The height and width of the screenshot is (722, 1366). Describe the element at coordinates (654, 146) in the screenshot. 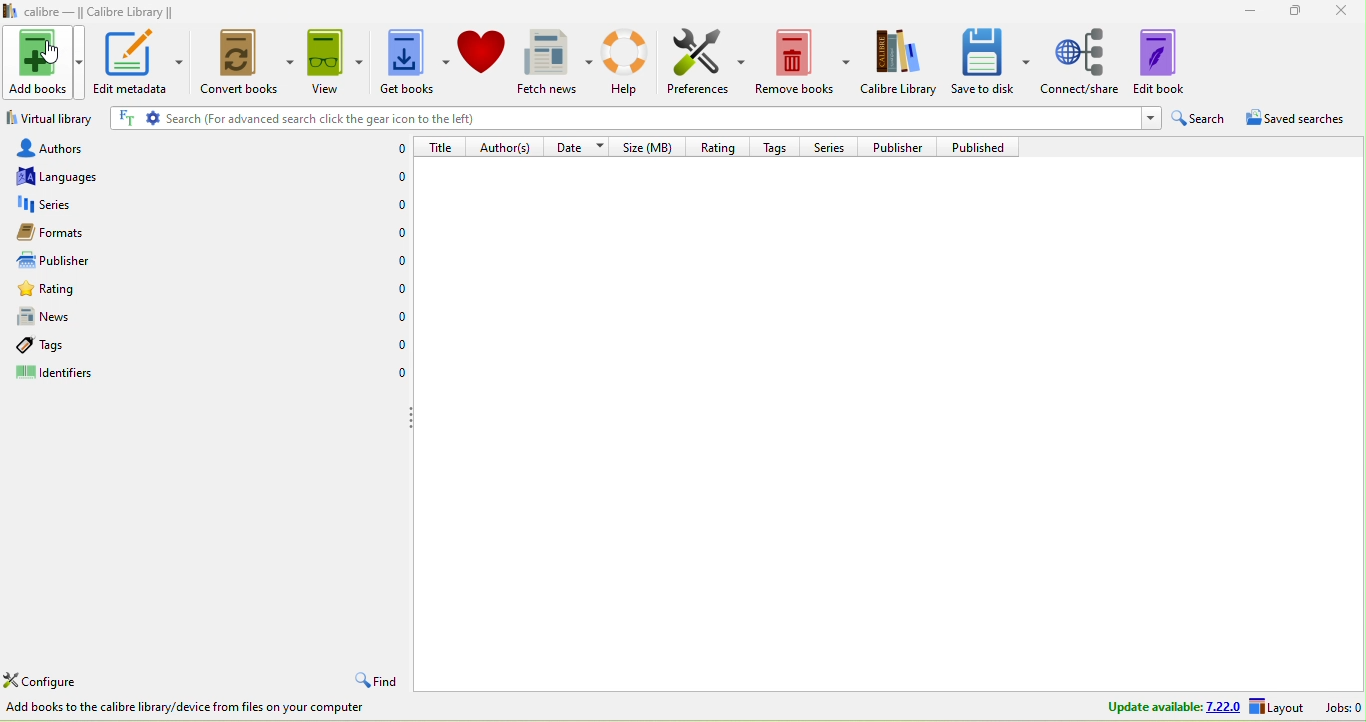

I see `size (mb)` at that location.